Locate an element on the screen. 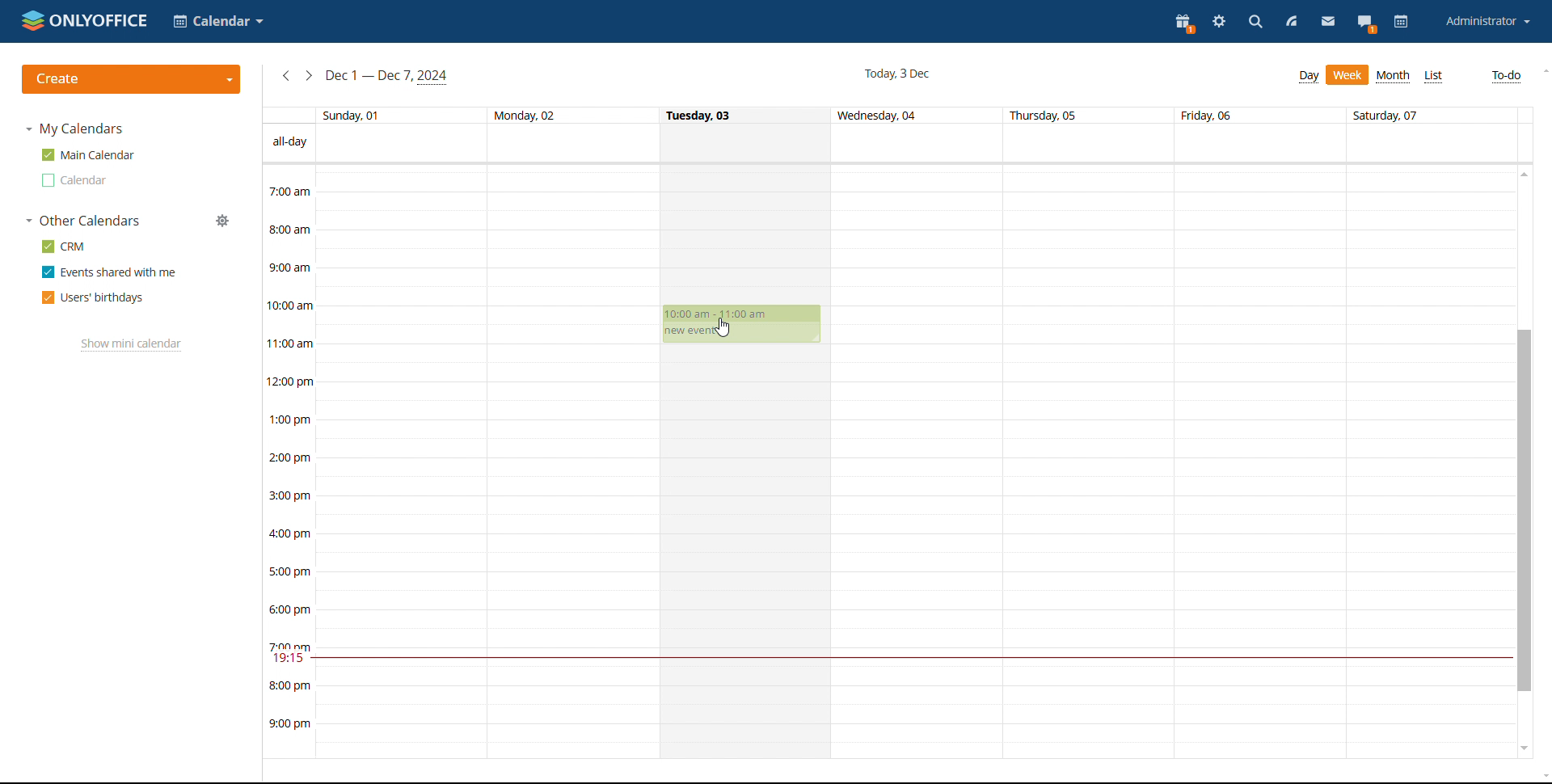 This screenshot has width=1552, height=784. 11:00 am is located at coordinates (291, 343).